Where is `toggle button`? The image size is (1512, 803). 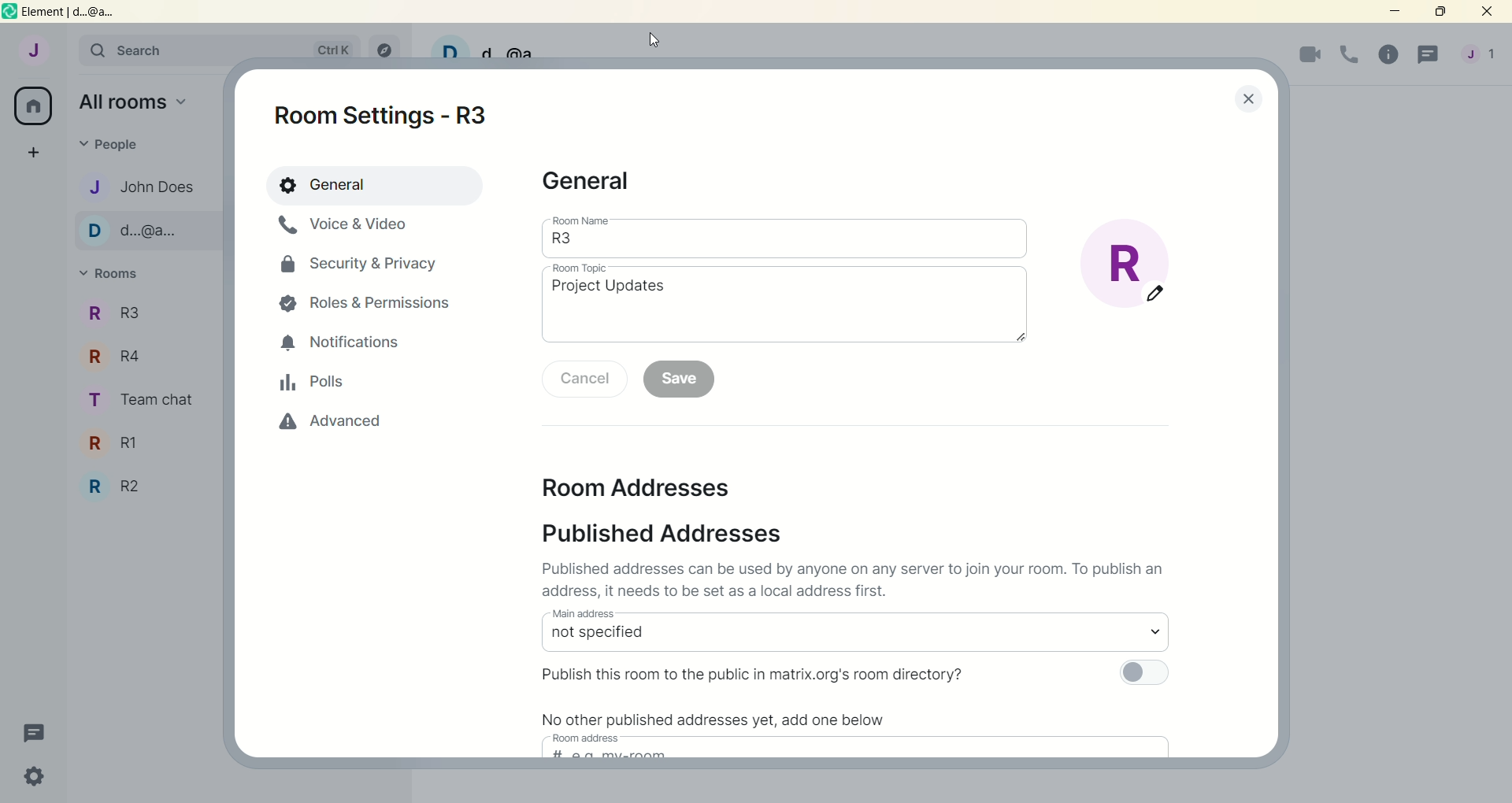
toggle button is located at coordinates (1149, 675).